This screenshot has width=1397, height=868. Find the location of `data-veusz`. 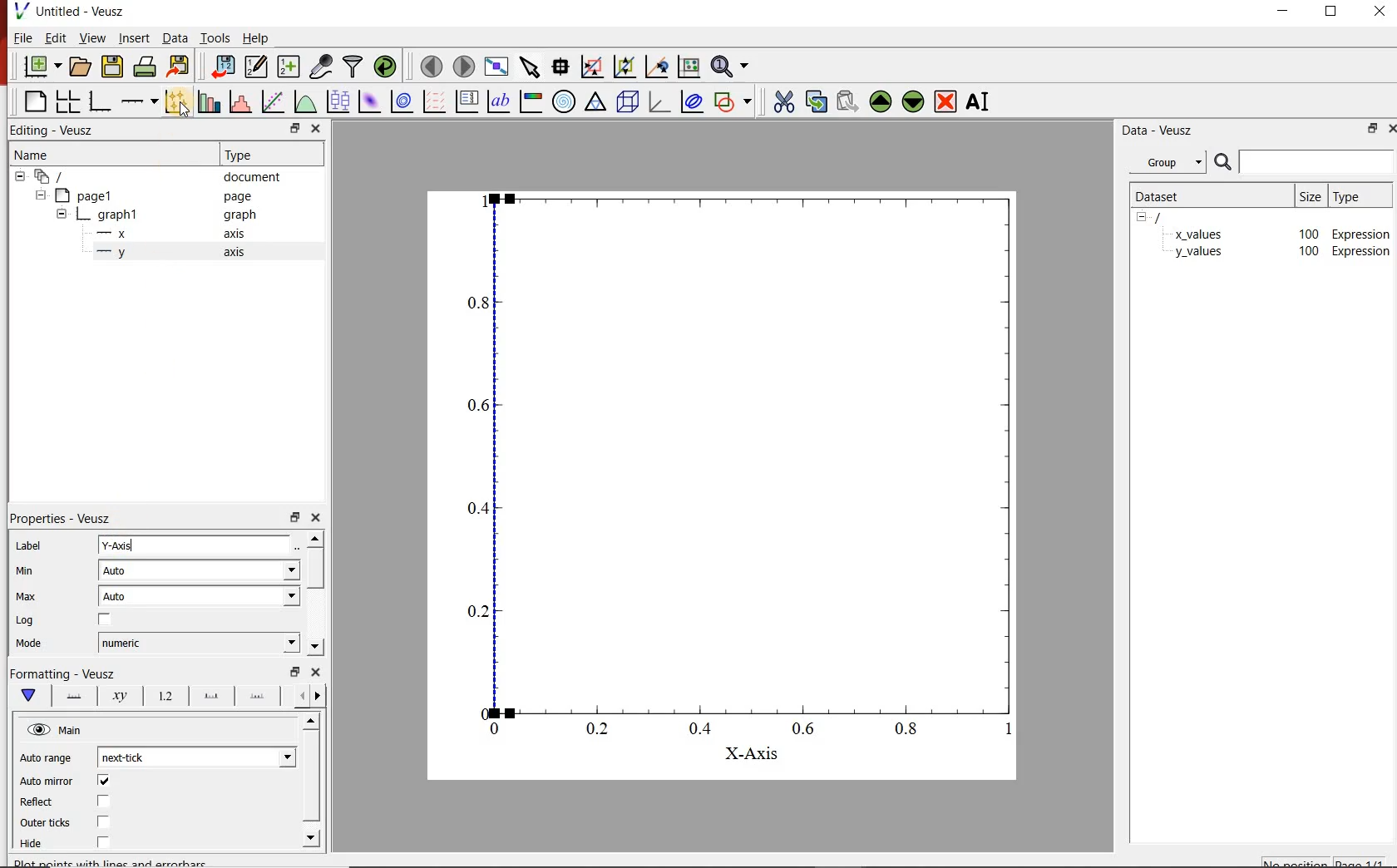

data-veusz is located at coordinates (1158, 132).